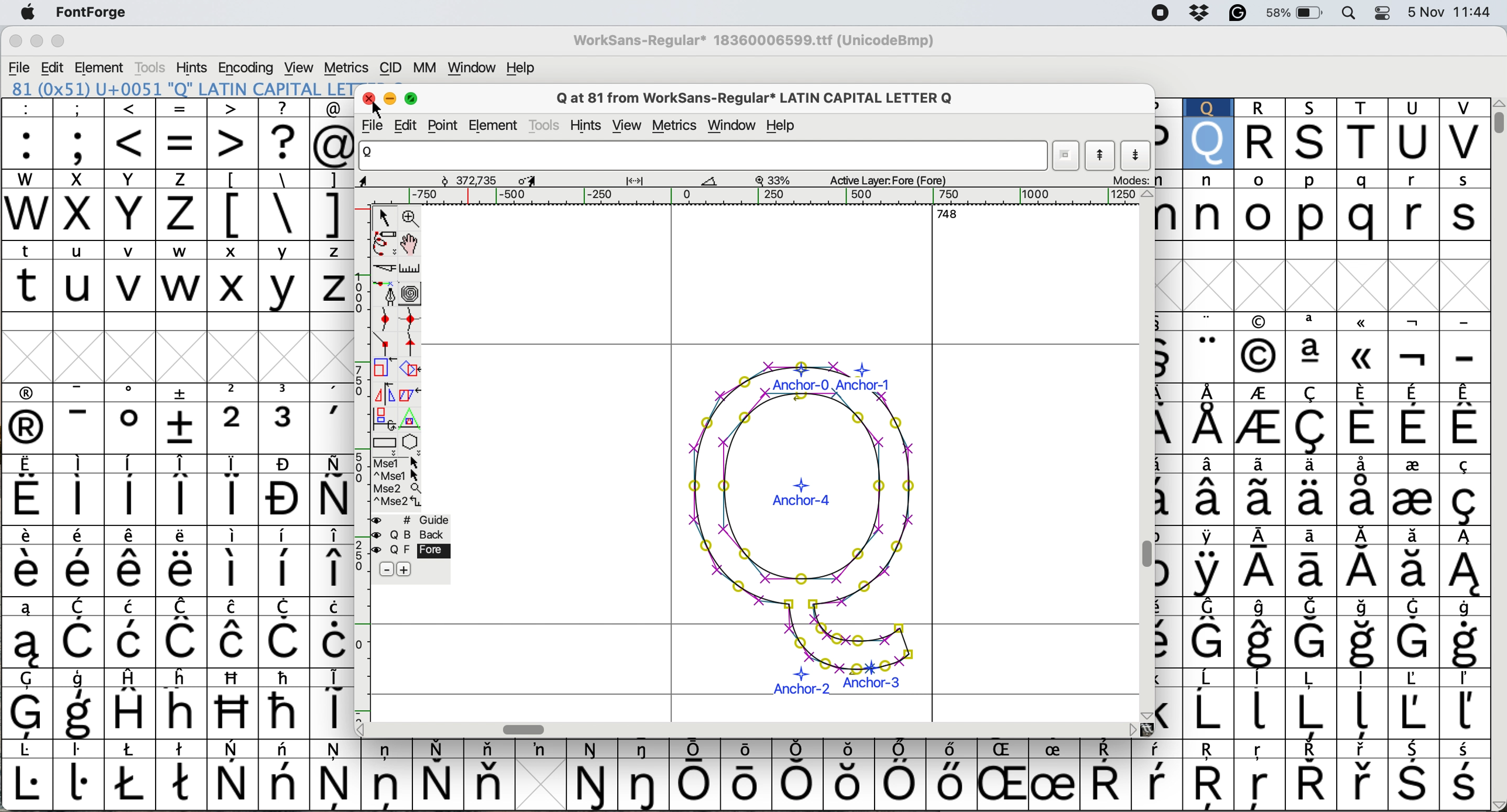 The width and height of the screenshot is (1507, 812). What do you see at coordinates (387, 270) in the screenshot?
I see `cut splines in two` at bounding box center [387, 270].